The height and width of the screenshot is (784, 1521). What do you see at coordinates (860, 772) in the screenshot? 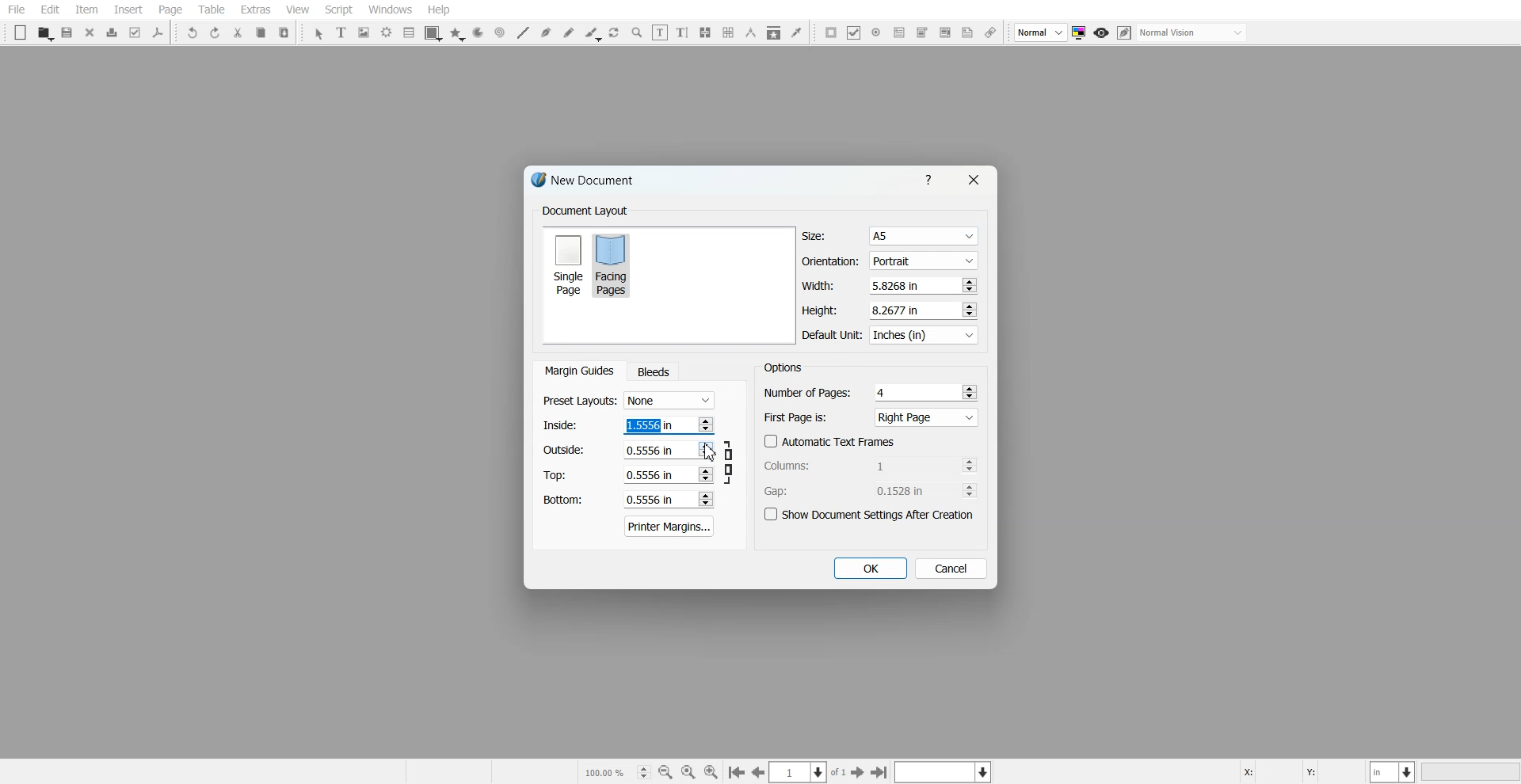
I see `Go to the First page` at bounding box center [860, 772].